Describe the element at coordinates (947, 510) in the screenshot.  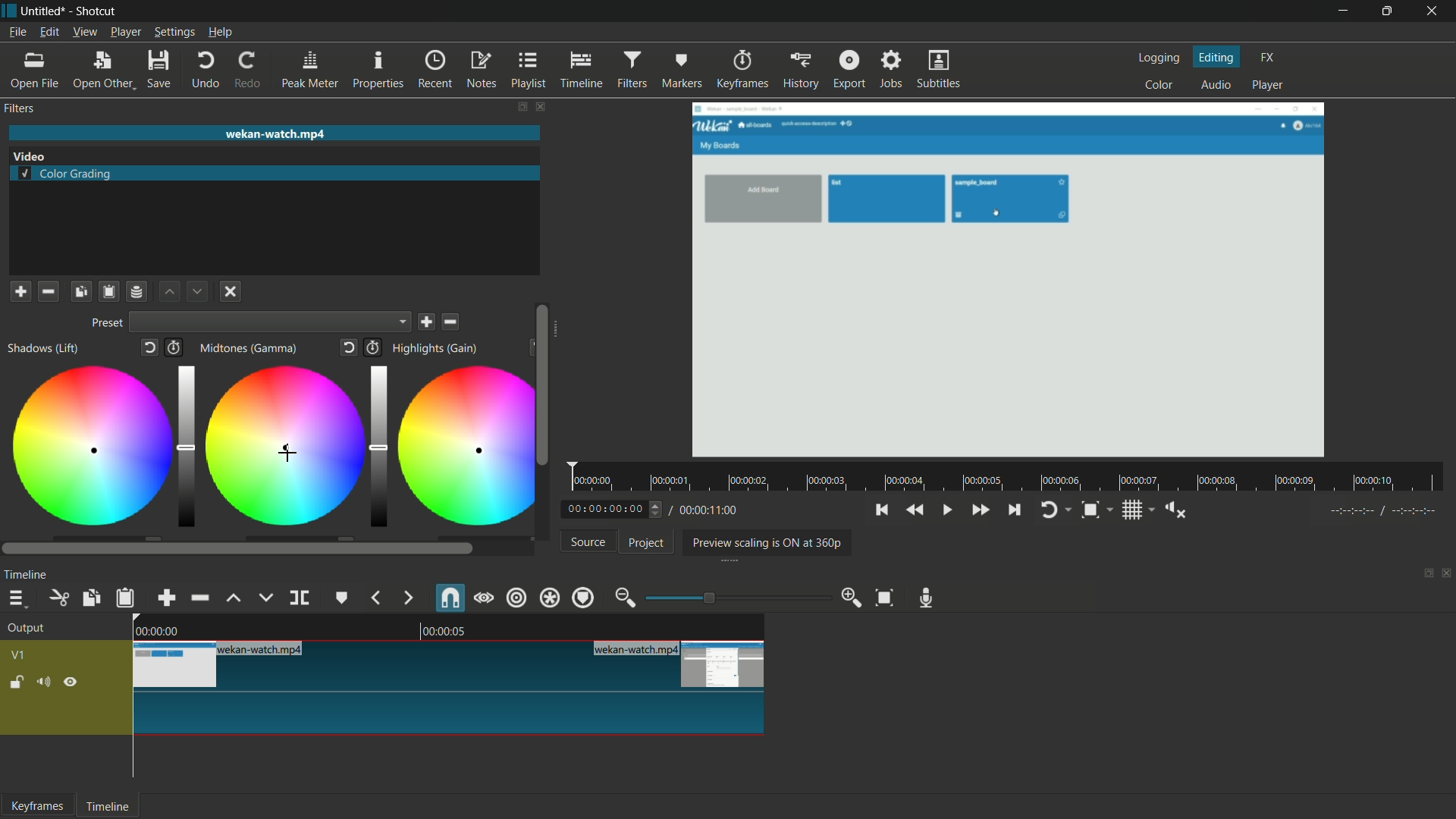
I see `toggle play or pause` at that location.